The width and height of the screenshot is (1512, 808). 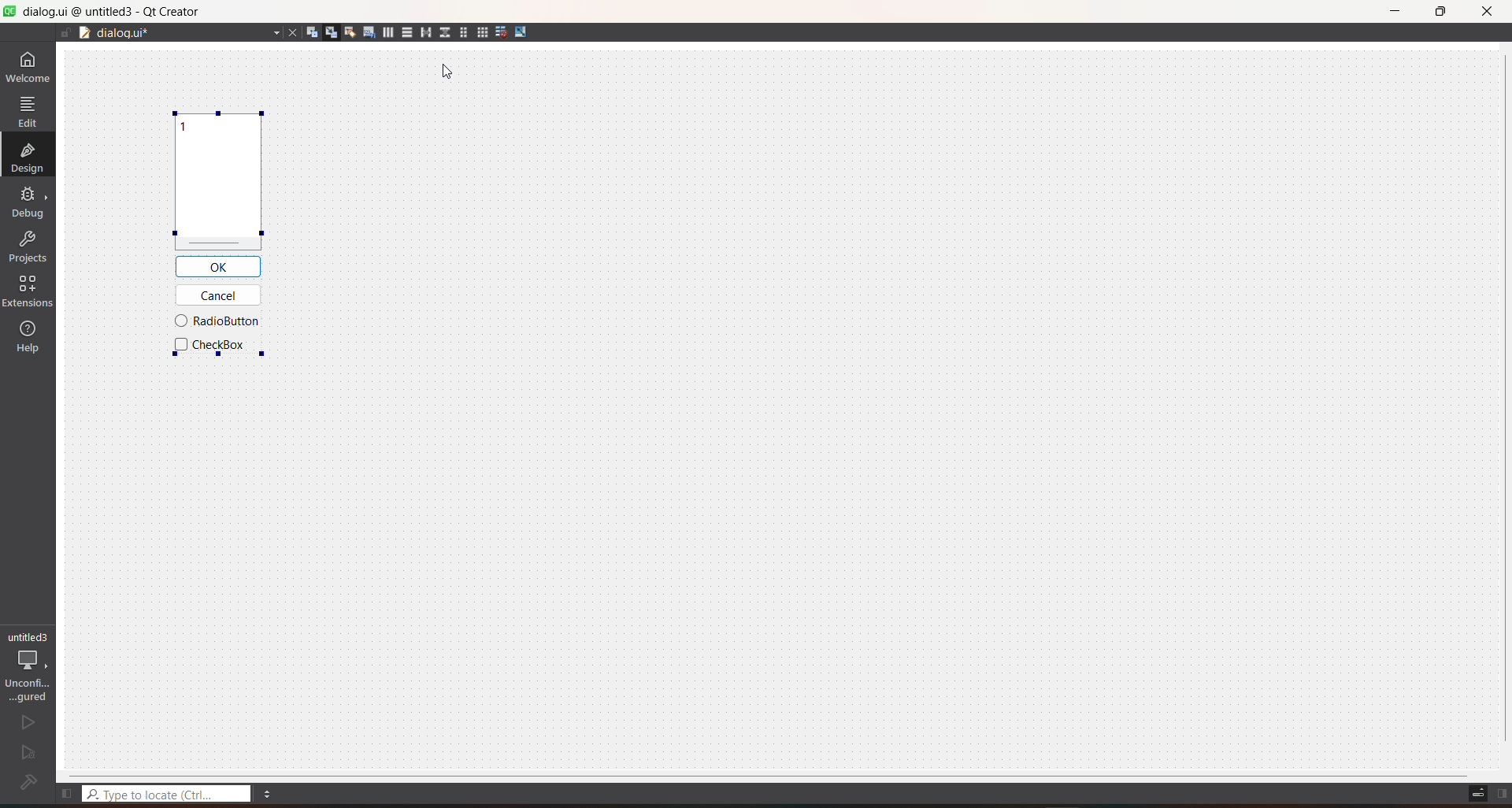 What do you see at coordinates (445, 72) in the screenshot?
I see `Cursor` at bounding box center [445, 72].